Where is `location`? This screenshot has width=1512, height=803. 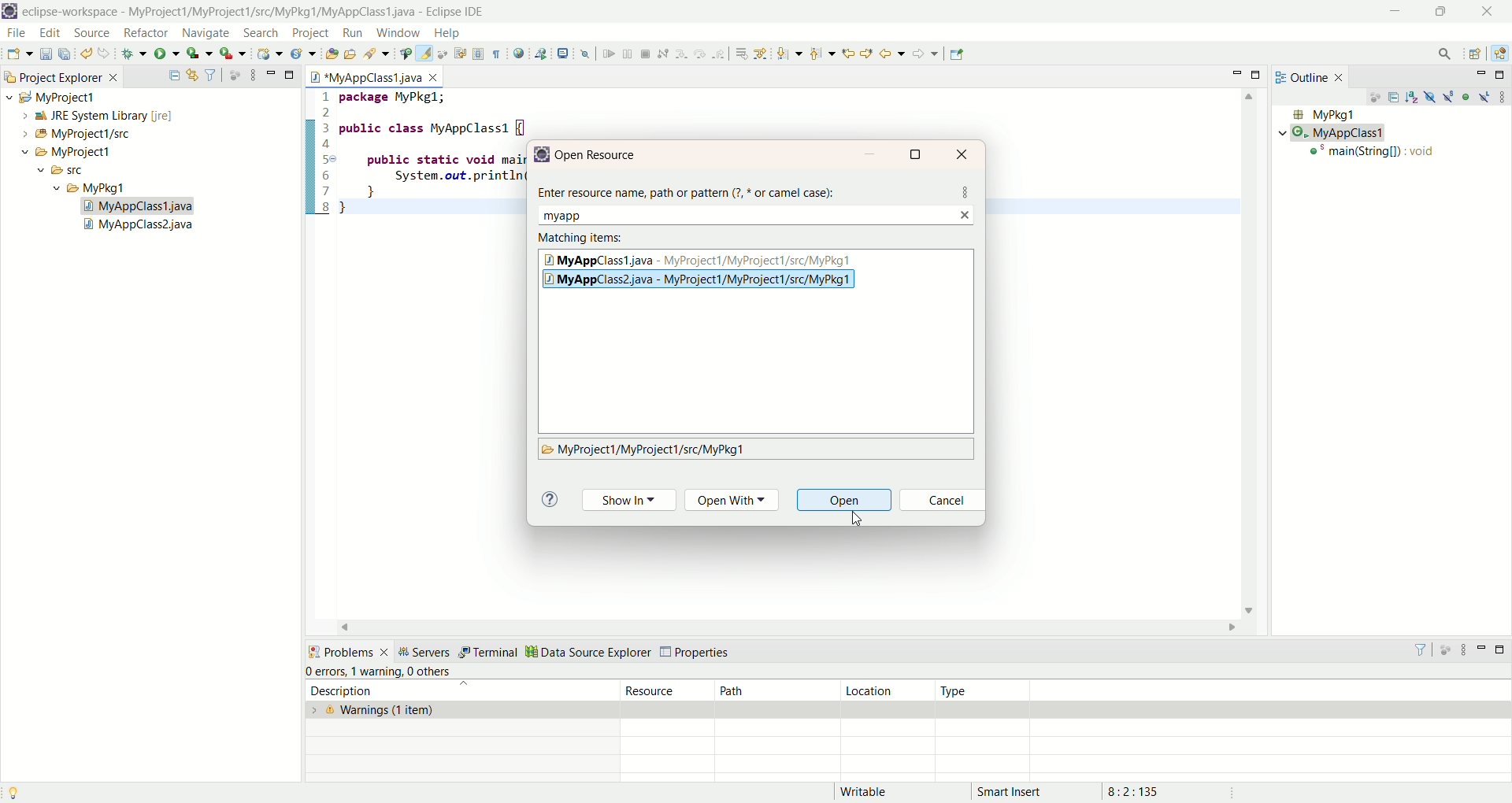 location is located at coordinates (887, 690).